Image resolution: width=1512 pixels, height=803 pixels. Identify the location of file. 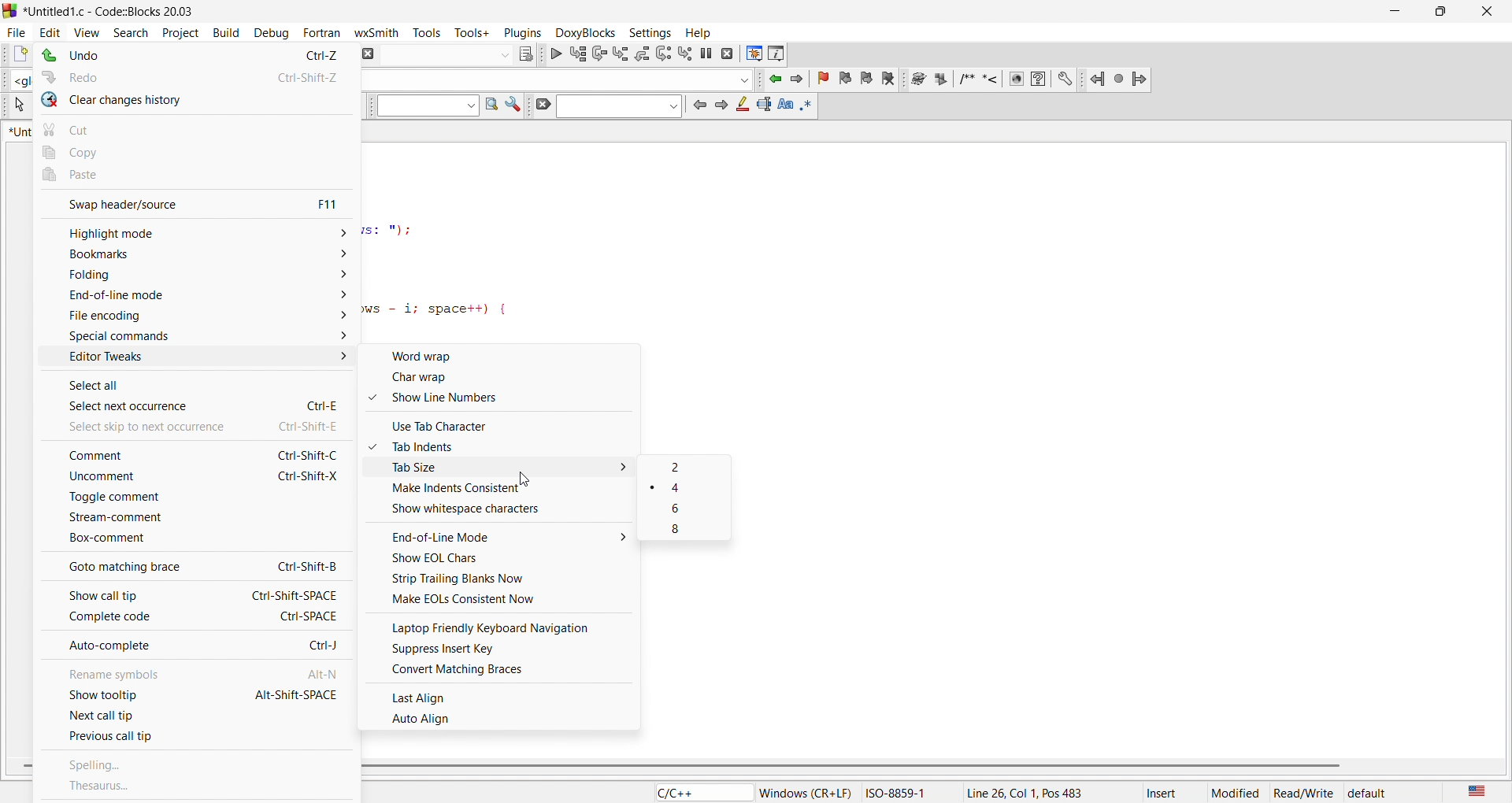
(17, 30).